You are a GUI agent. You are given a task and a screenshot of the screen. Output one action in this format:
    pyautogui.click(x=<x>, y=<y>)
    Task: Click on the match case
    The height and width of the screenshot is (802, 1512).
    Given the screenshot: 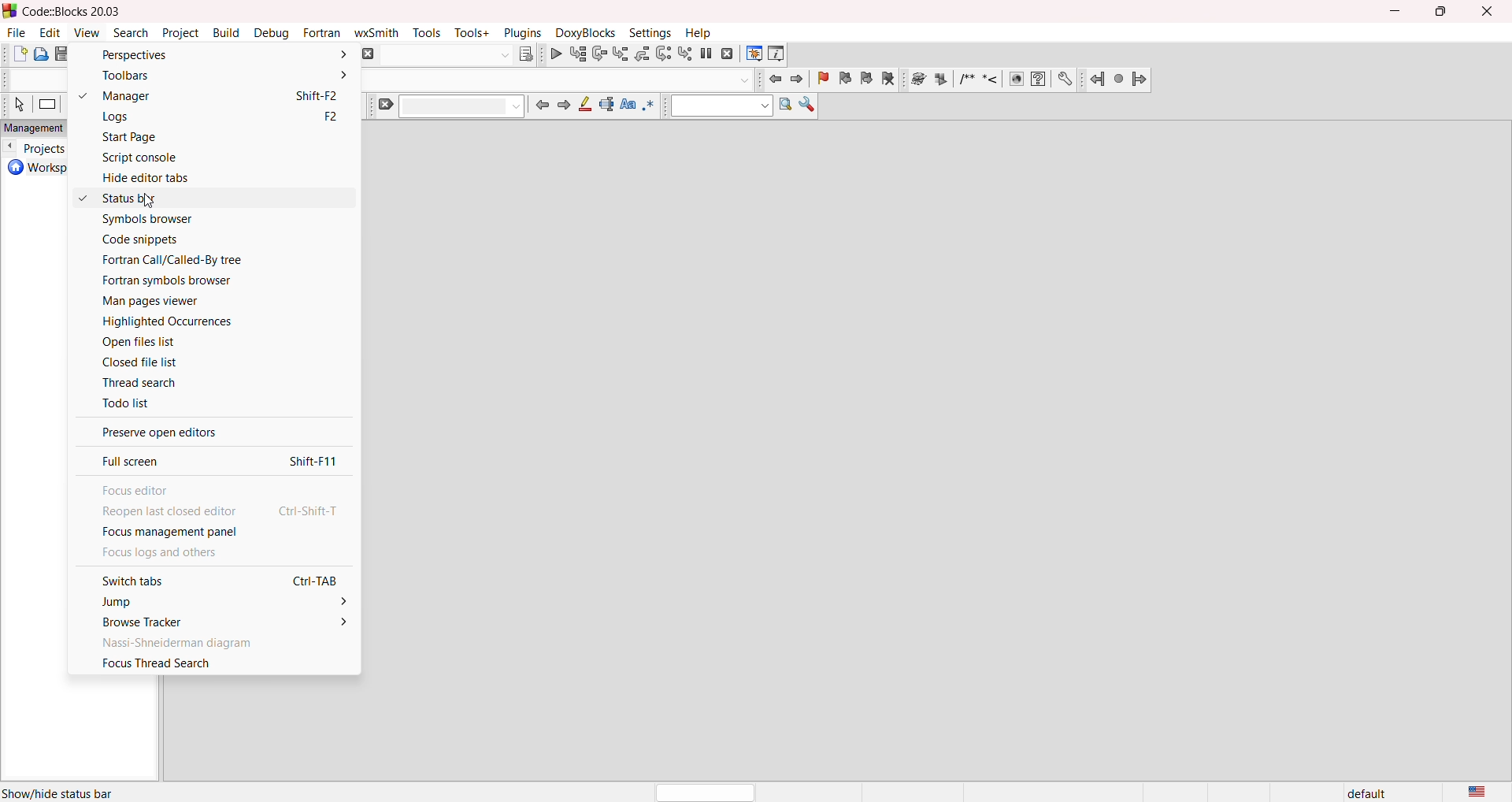 What is the action you would take?
    pyautogui.click(x=628, y=110)
    